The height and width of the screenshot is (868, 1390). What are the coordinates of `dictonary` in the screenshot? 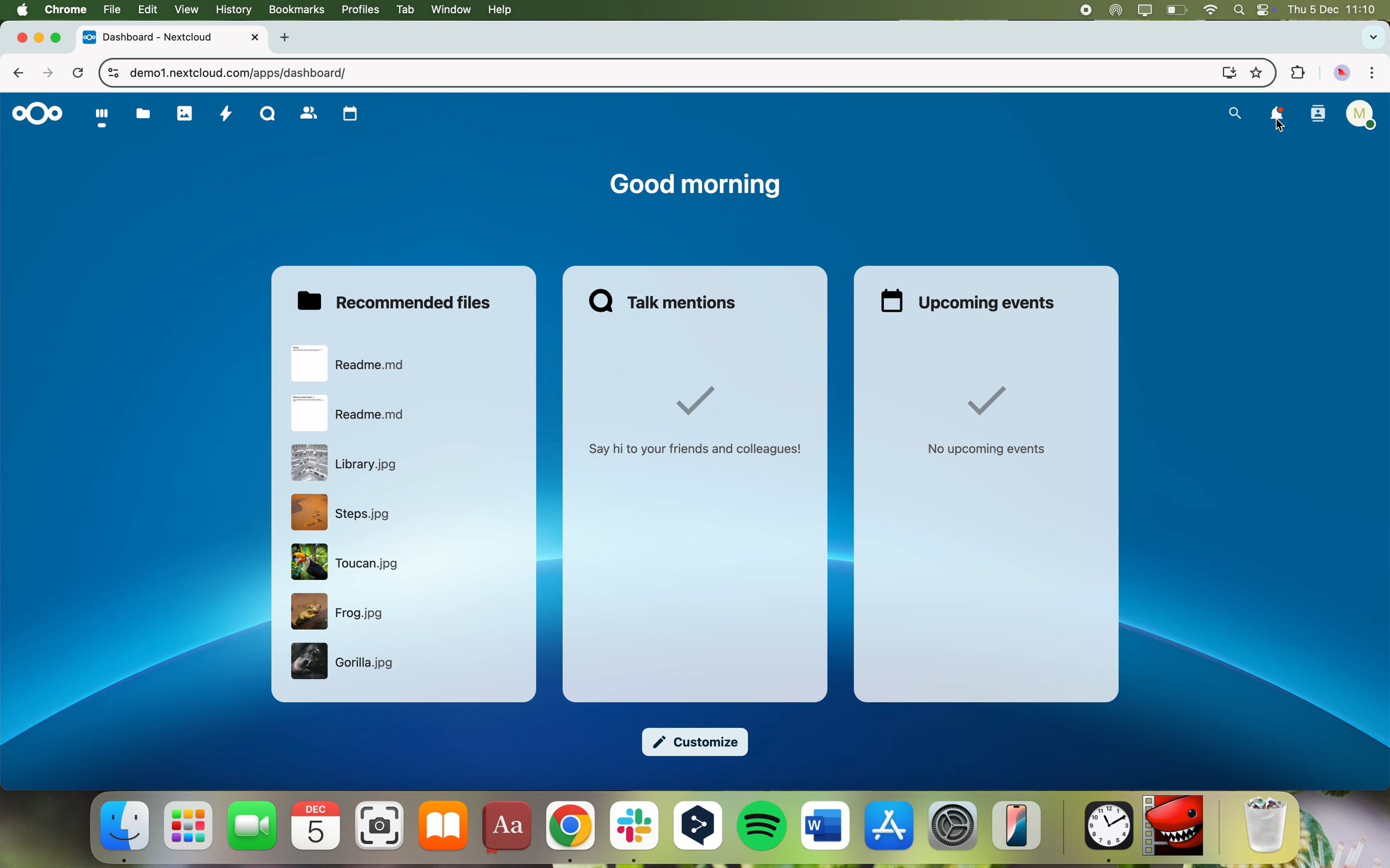 It's located at (505, 829).